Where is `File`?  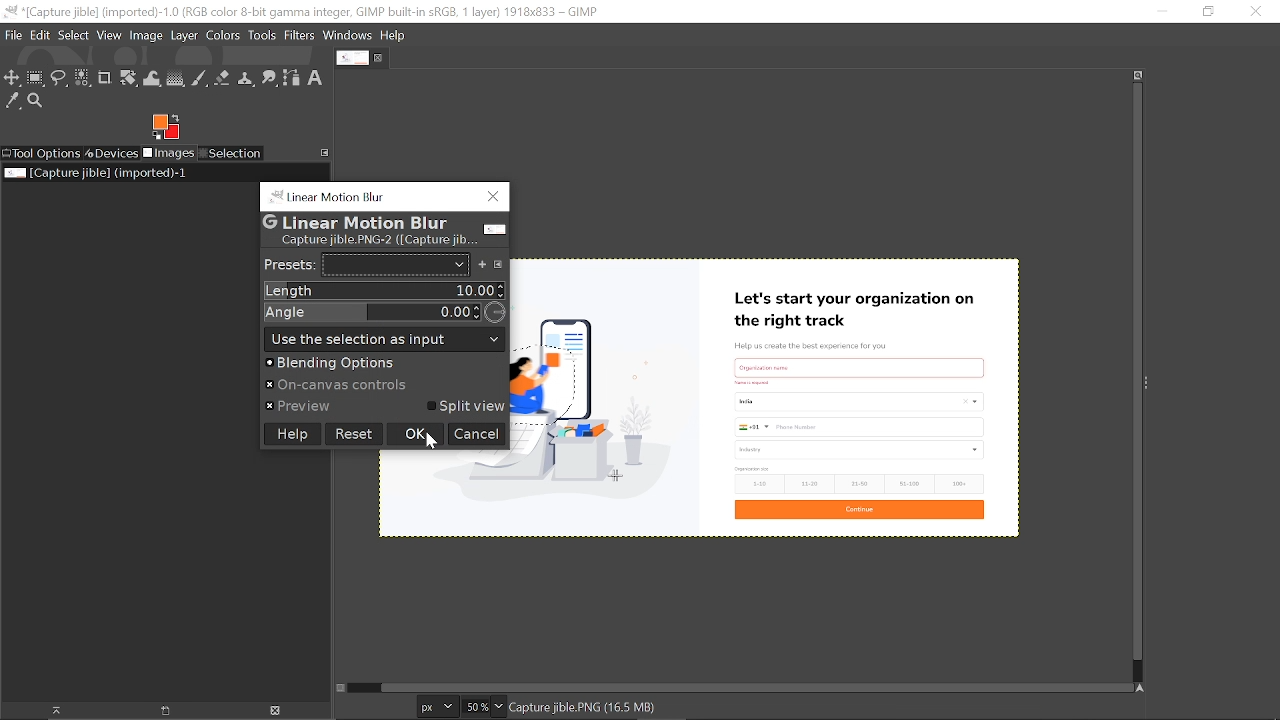 File is located at coordinates (13, 35).